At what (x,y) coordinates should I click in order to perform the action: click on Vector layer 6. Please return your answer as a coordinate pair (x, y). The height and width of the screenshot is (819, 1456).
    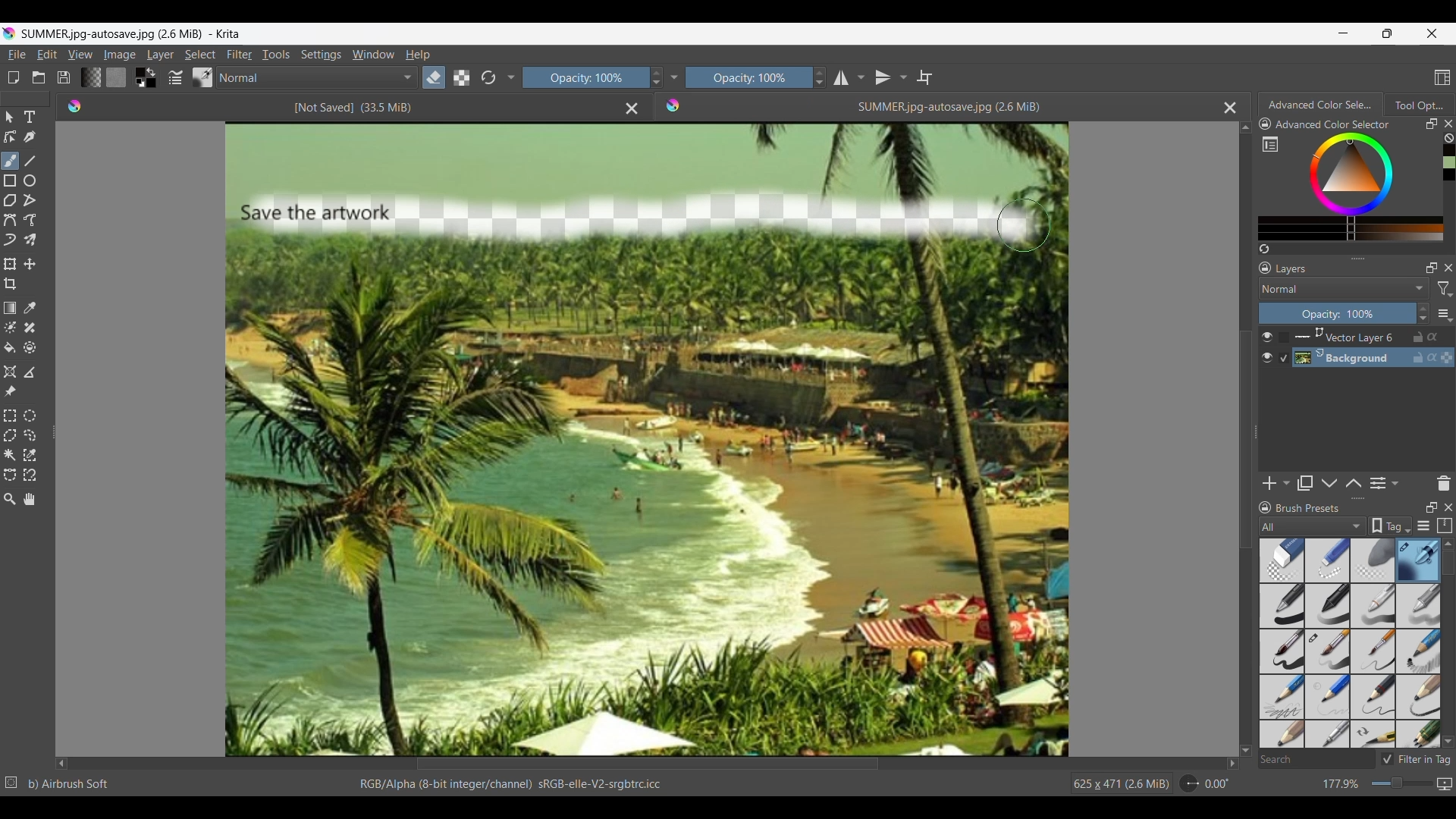
    Looking at the image, I should click on (1374, 337).